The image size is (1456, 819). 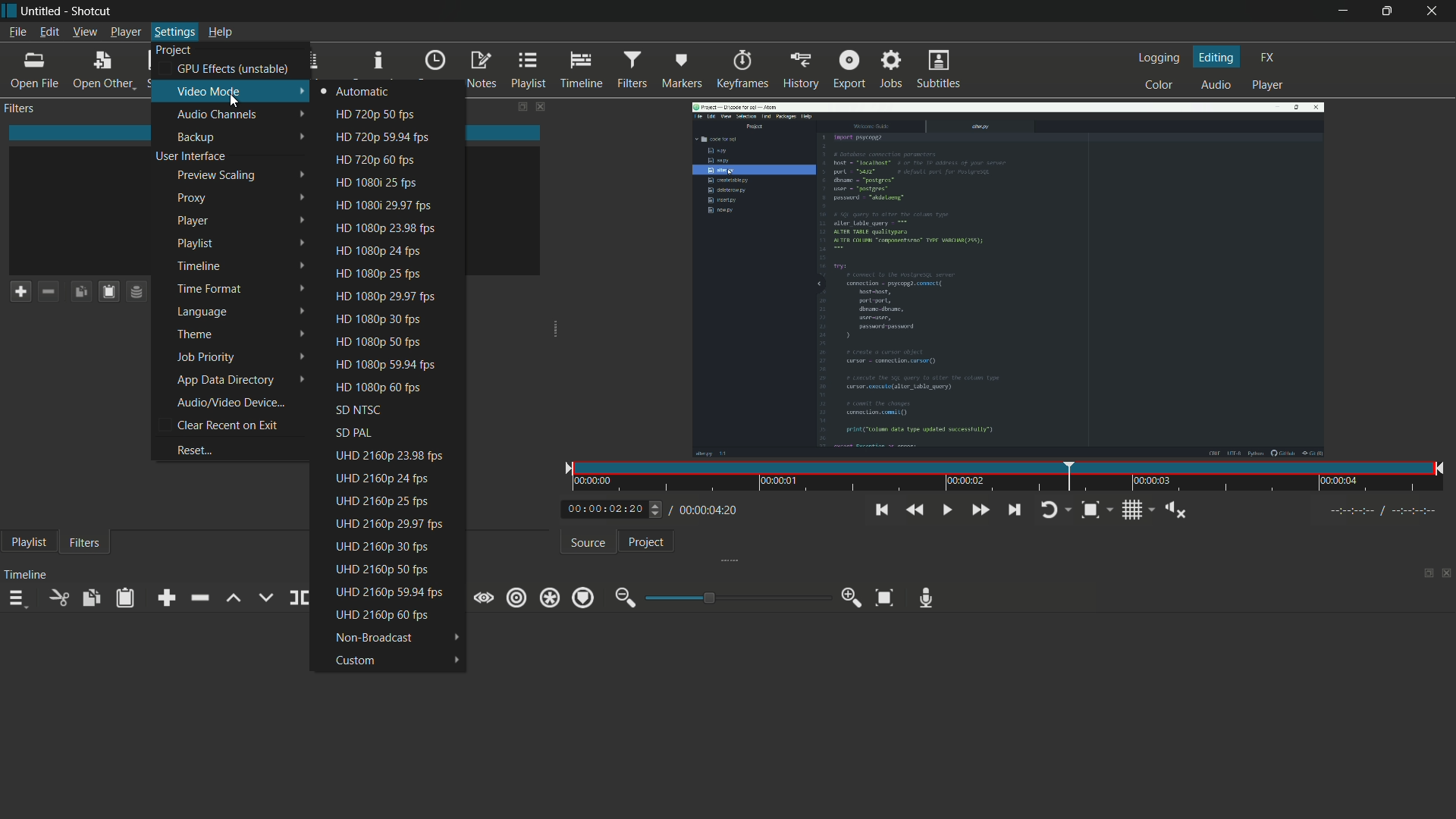 What do you see at coordinates (49, 33) in the screenshot?
I see `edit menu` at bounding box center [49, 33].